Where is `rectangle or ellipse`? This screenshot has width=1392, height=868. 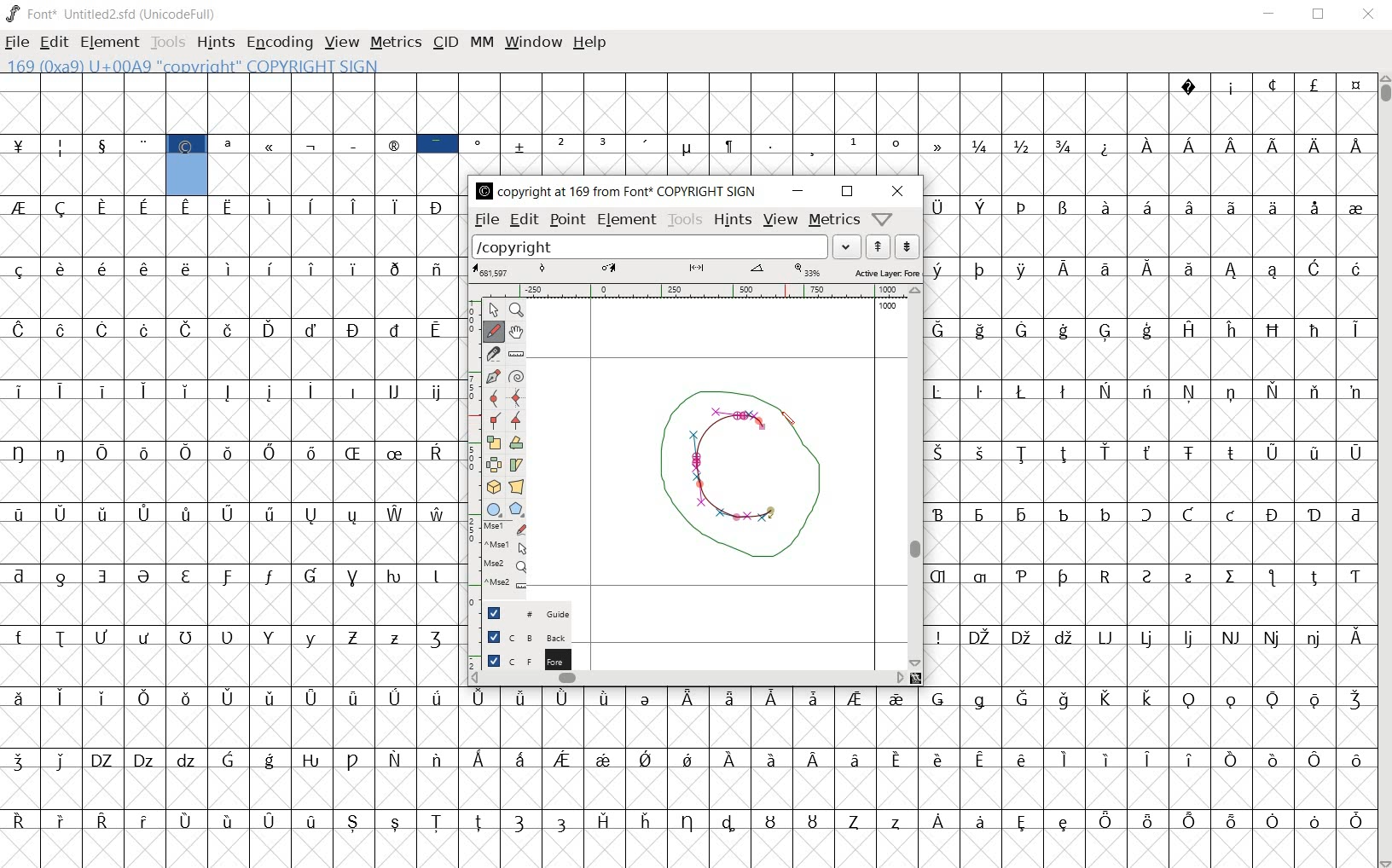
rectangle or ellipse is located at coordinates (494, 508).